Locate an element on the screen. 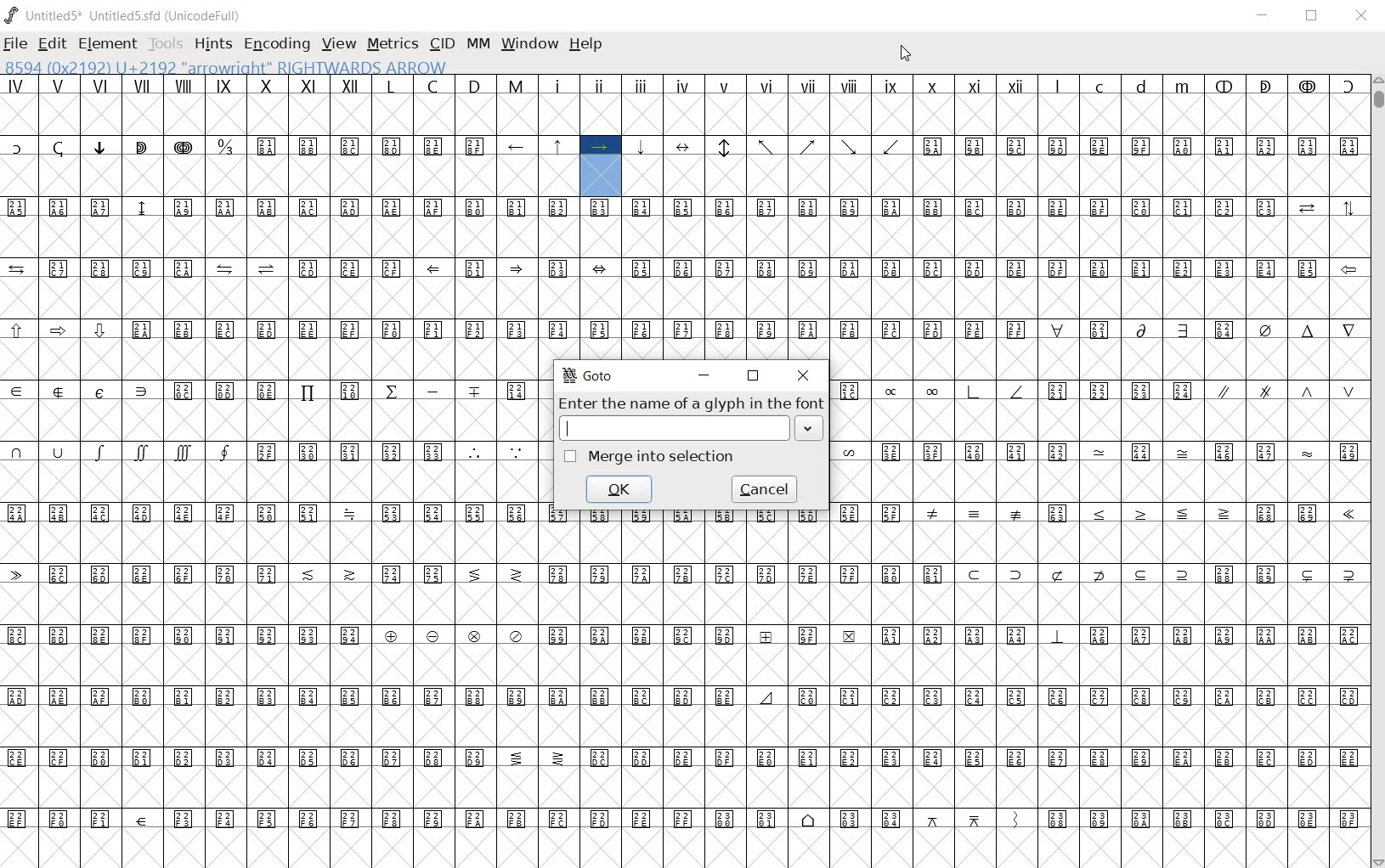 The width and height of the screenshot is (1385, 868). merge into selection is located at coordinates (654, 455).